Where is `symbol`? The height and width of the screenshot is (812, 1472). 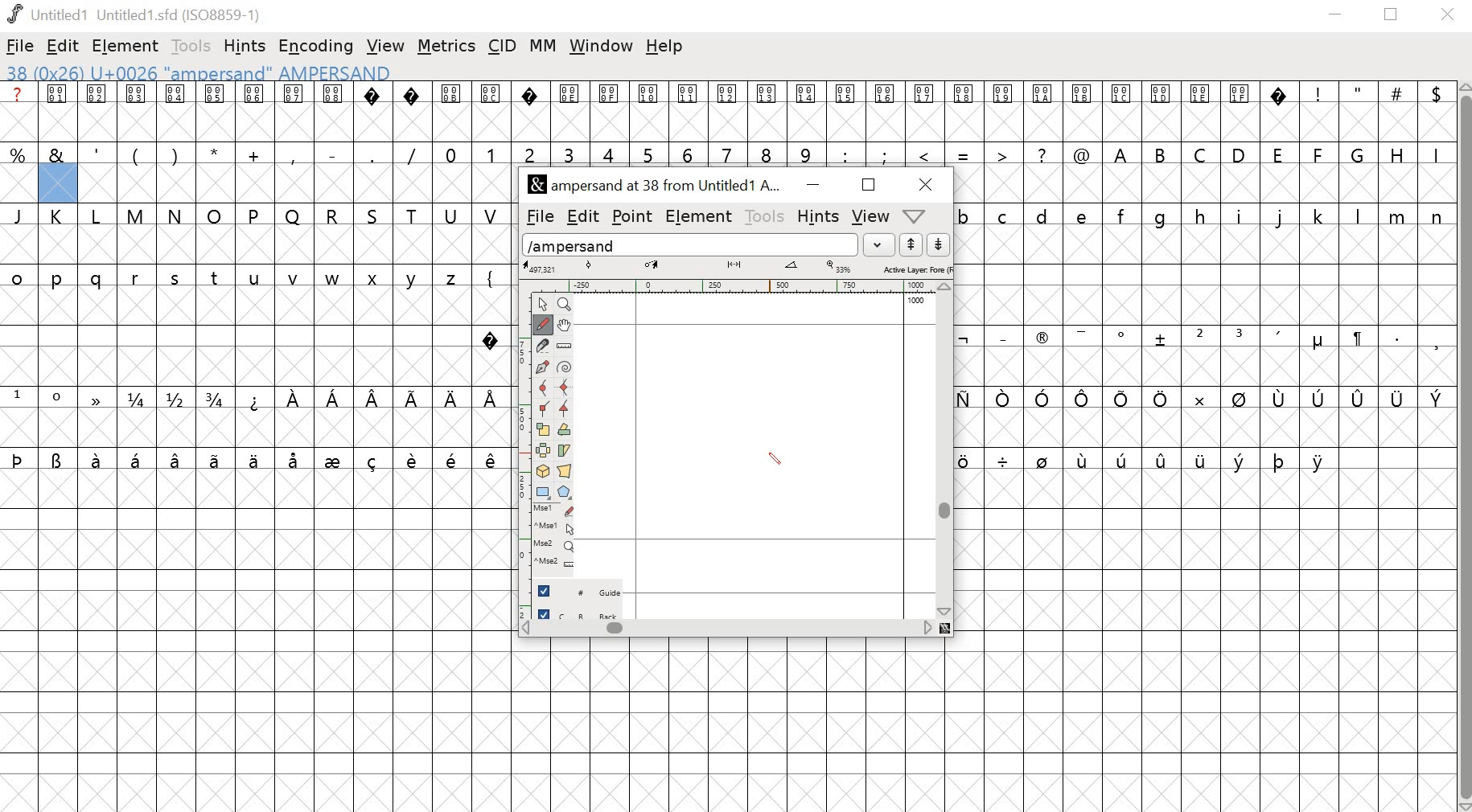 symbol is located at coordinates (335, 459).